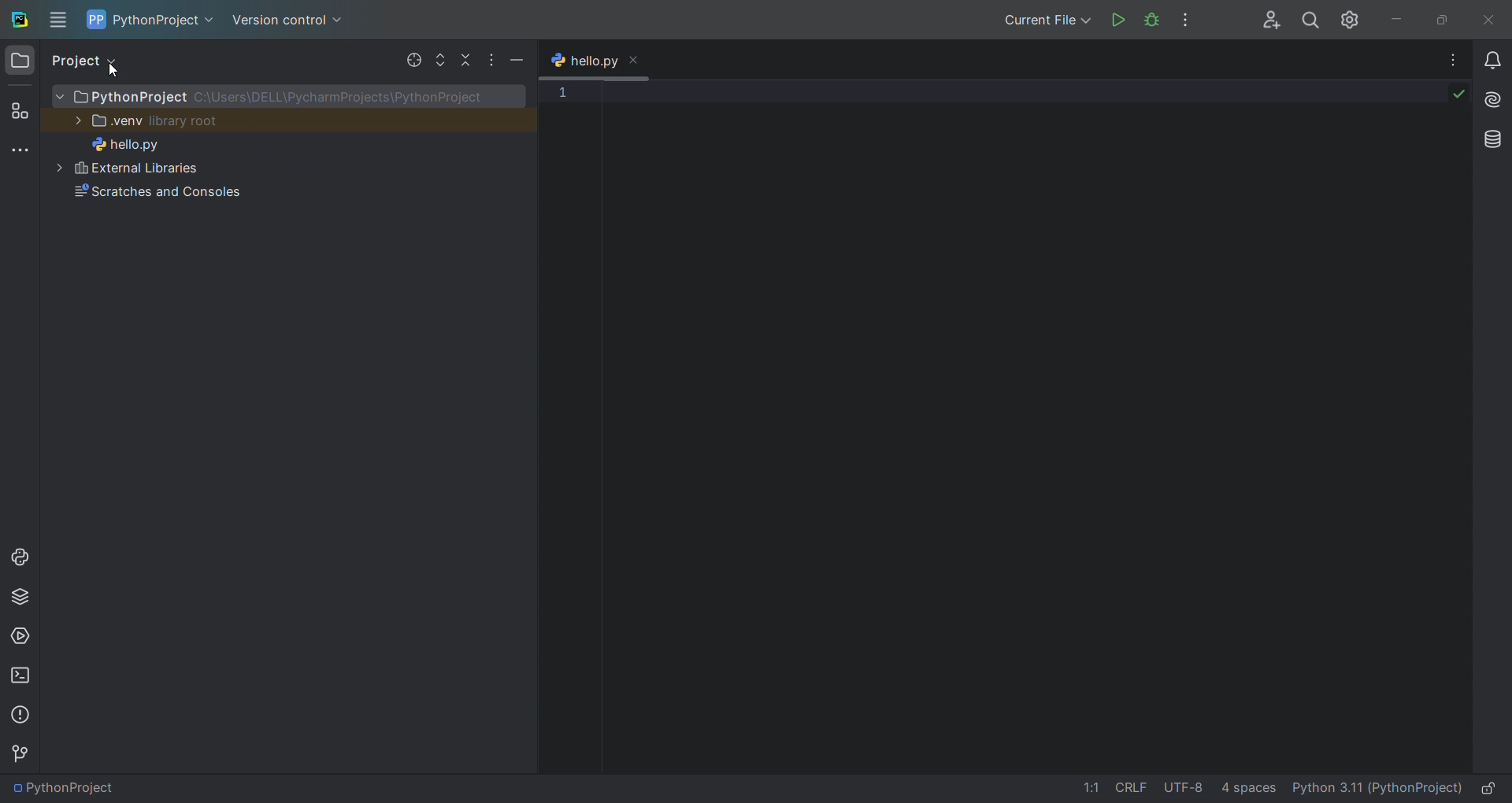 The image size is (1512, 803). I want to click on file data, so click(1171, 790).